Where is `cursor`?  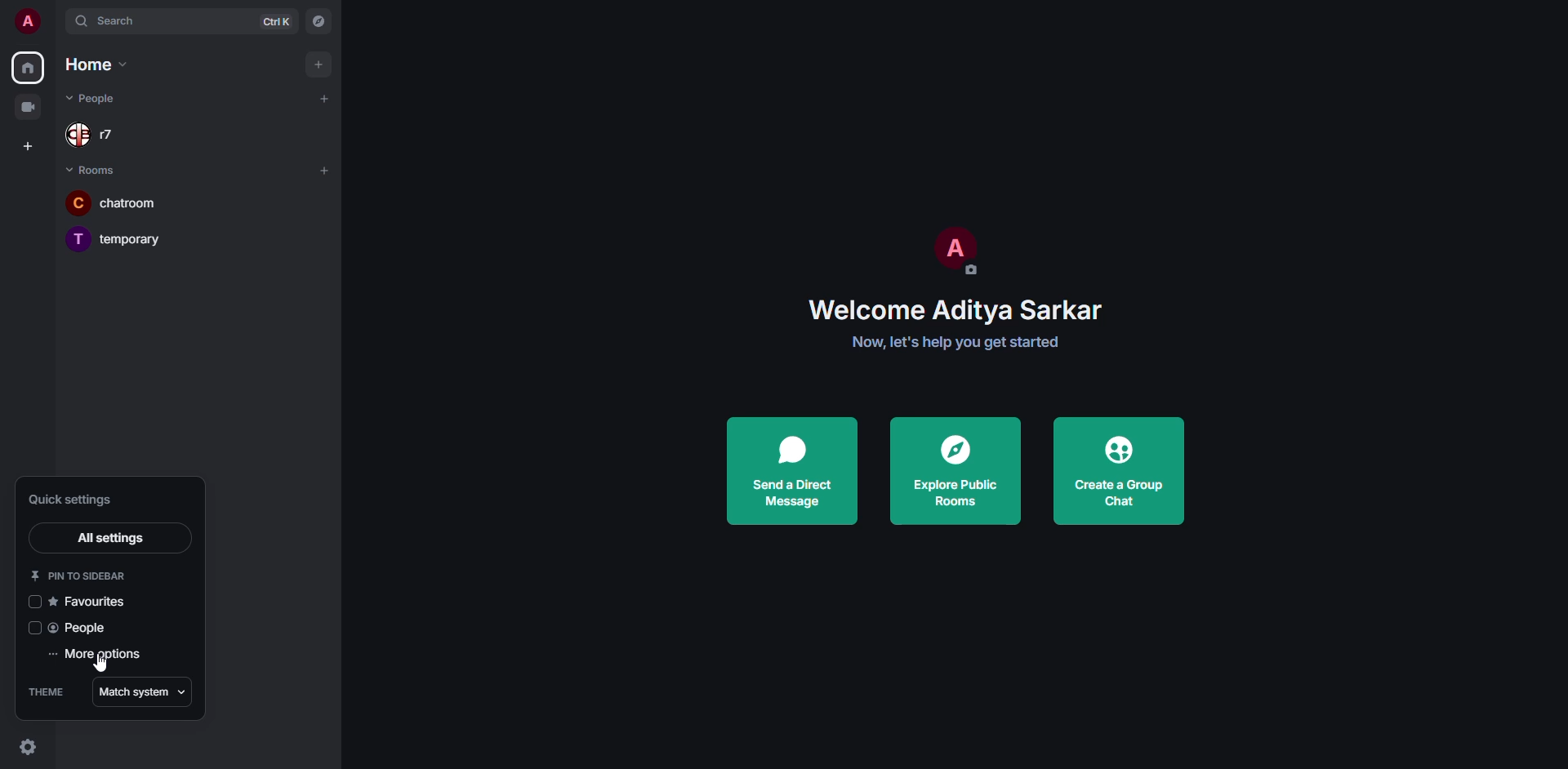 cursor is located at coordinates (101, 666).